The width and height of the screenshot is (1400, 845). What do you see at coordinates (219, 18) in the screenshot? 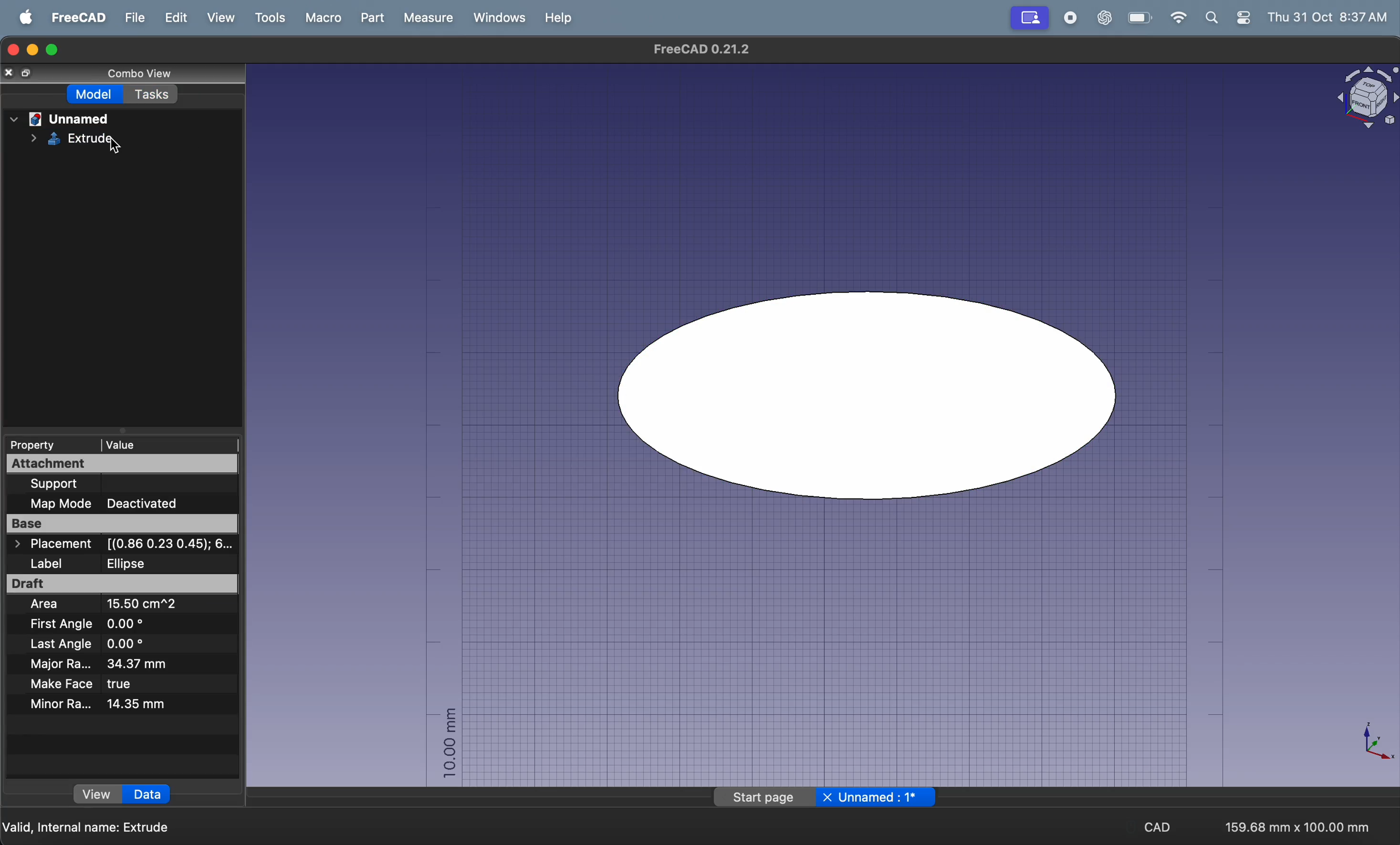
I see `view` at bounding box center [219, 18].